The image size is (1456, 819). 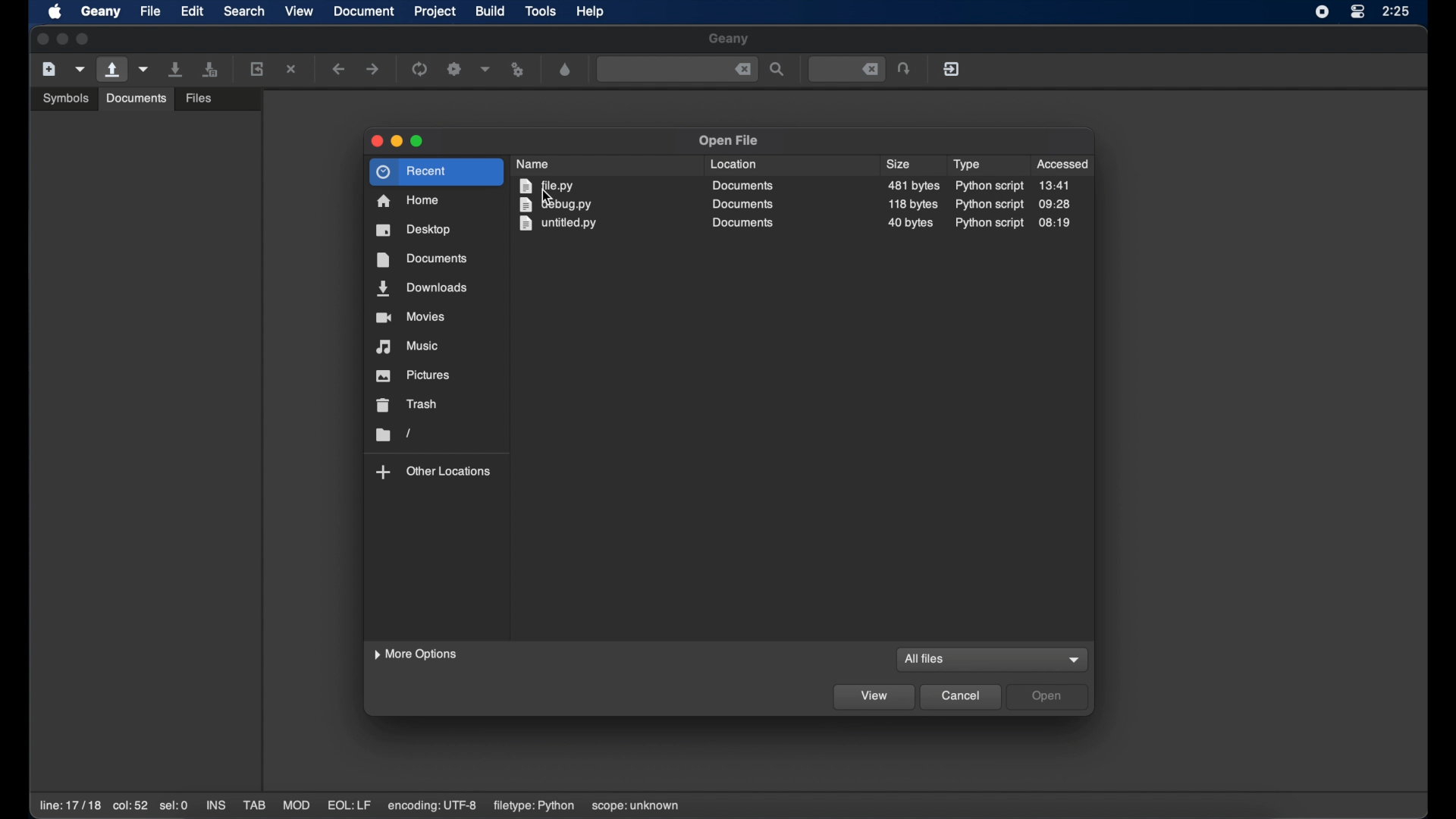 I want to click on project, so click(x=436, y=11).